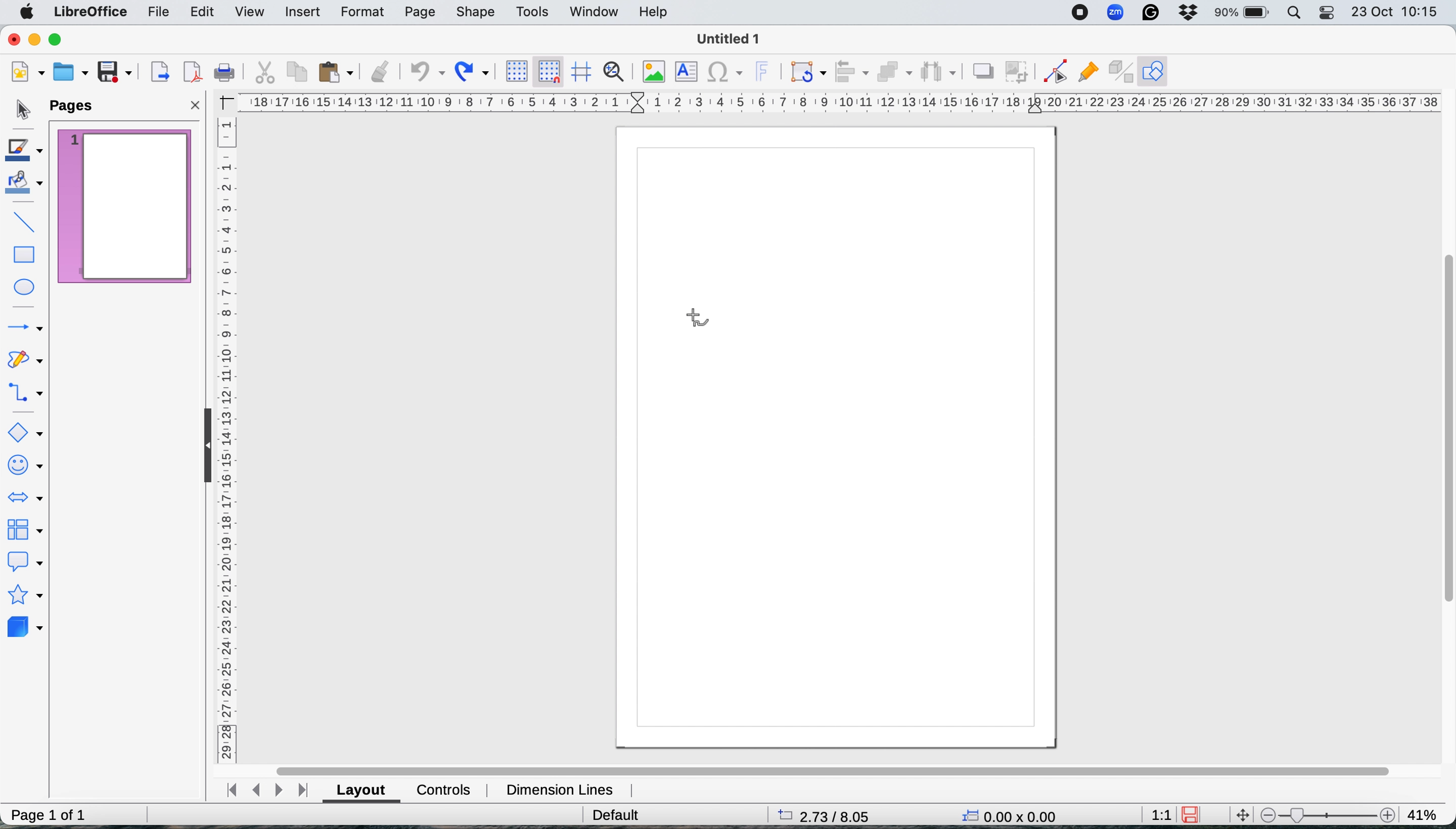 The height and width of the screenshot is (829, 1456). What do you see at coordinates (1158, 814) in the screenshot?
I see `aspect ratio` at bounding box center [1158, 814].